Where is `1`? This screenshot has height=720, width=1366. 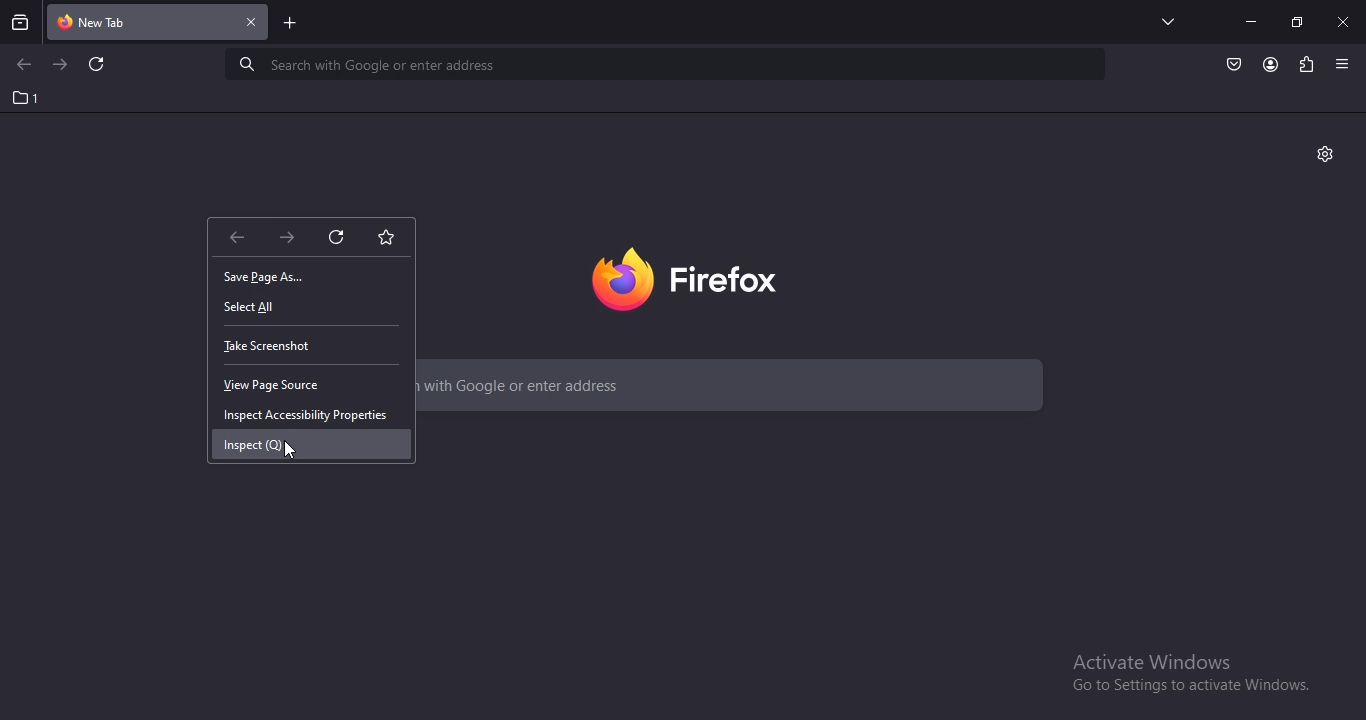 1 is located at coordinates (27, 98).